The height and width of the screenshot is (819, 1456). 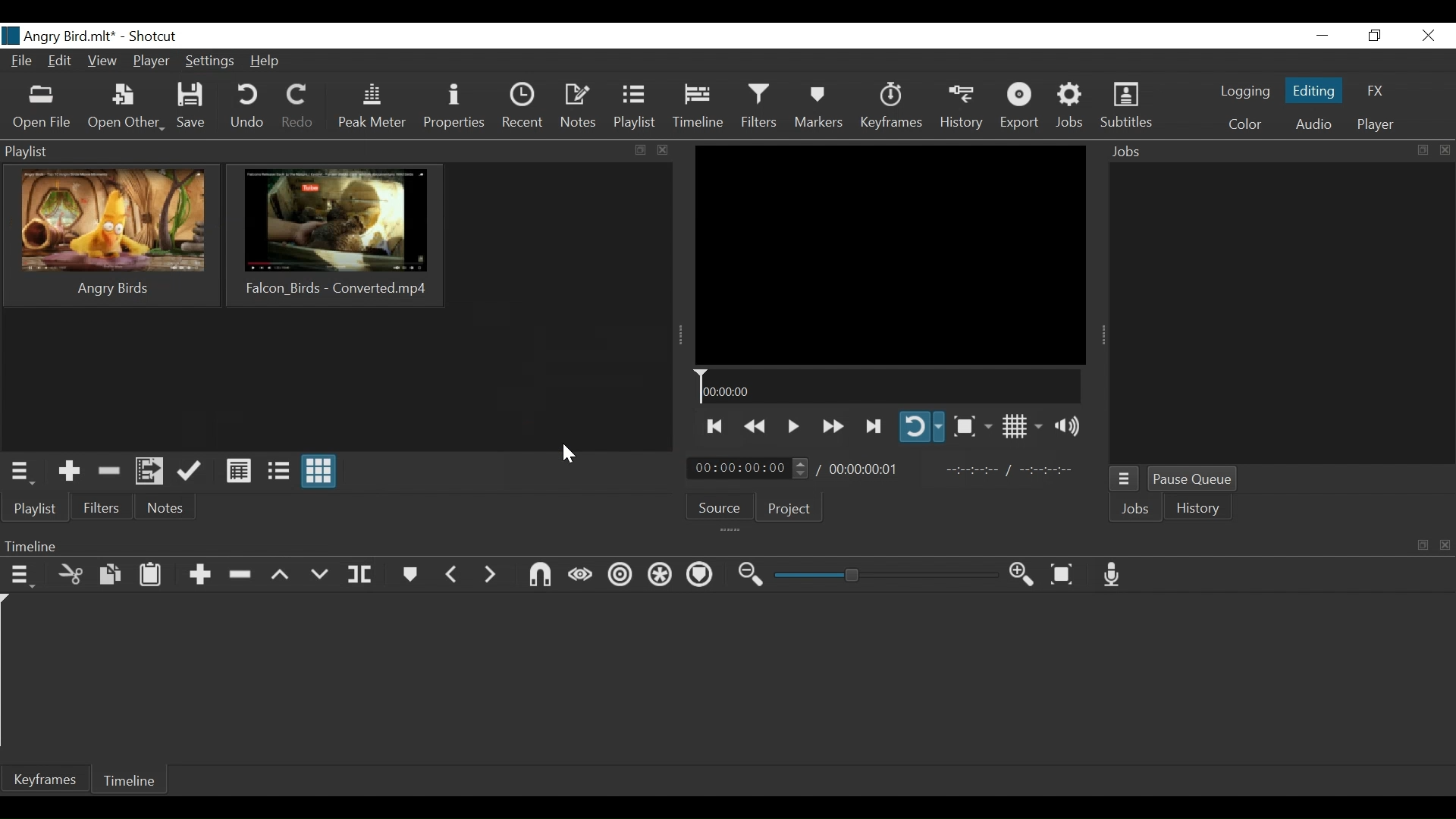 I want to click on Player, so click(x=151, y=61).